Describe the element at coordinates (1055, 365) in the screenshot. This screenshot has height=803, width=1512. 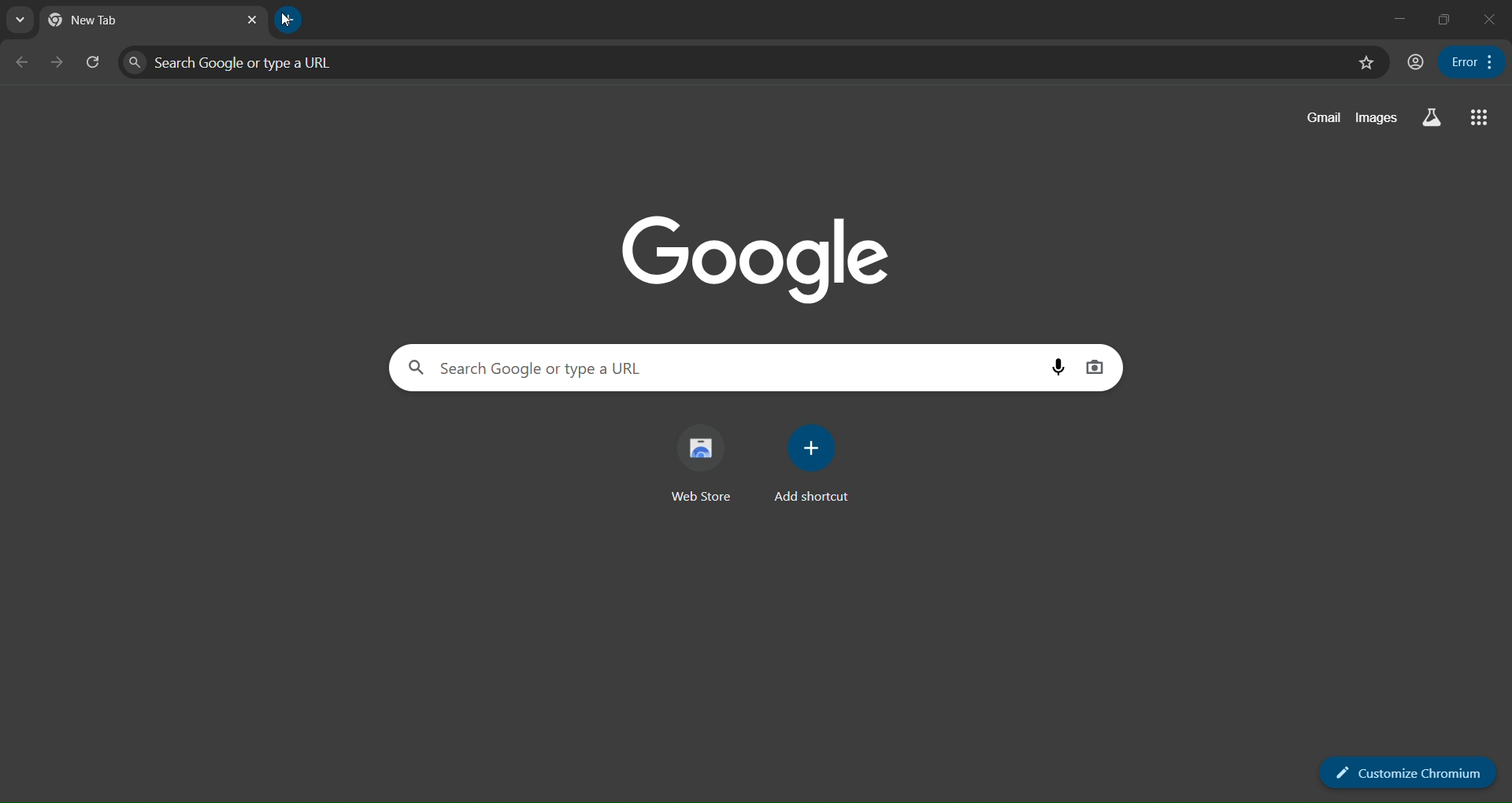
I see `audio search` at that location.